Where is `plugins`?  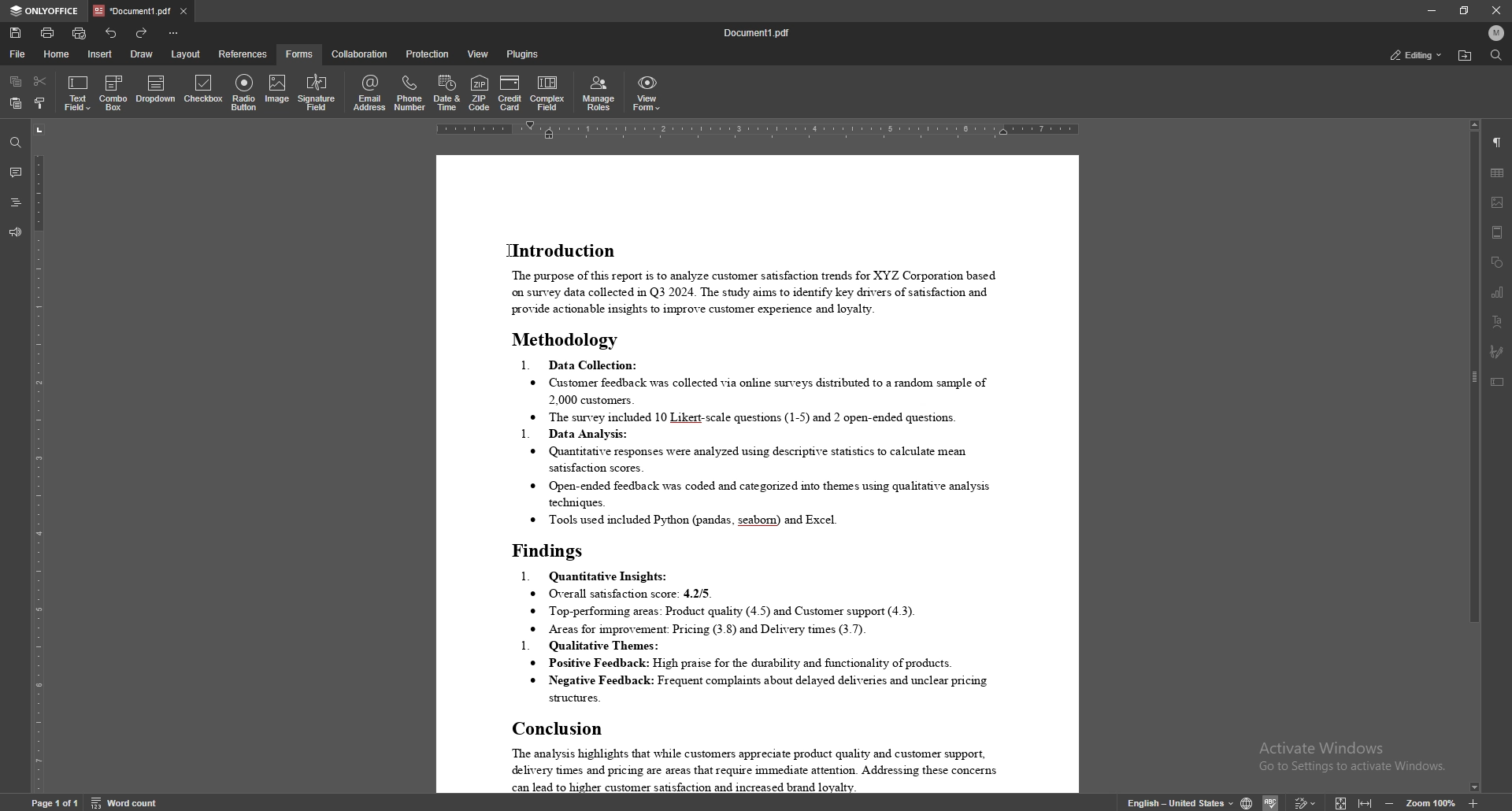 plugins is located at coordinates (523, 55).